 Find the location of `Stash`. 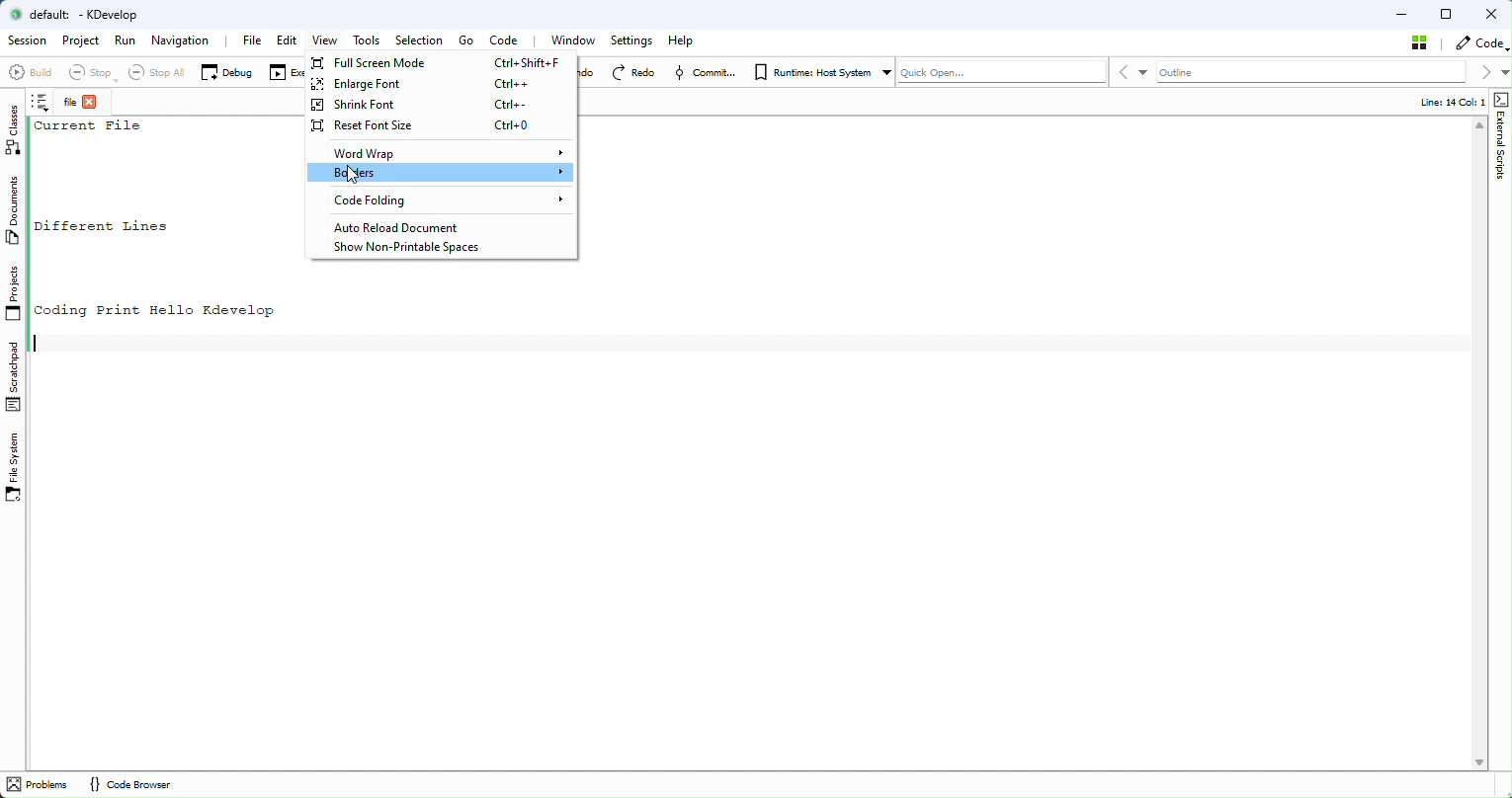

Stash is located at coordinates (1421, 42).